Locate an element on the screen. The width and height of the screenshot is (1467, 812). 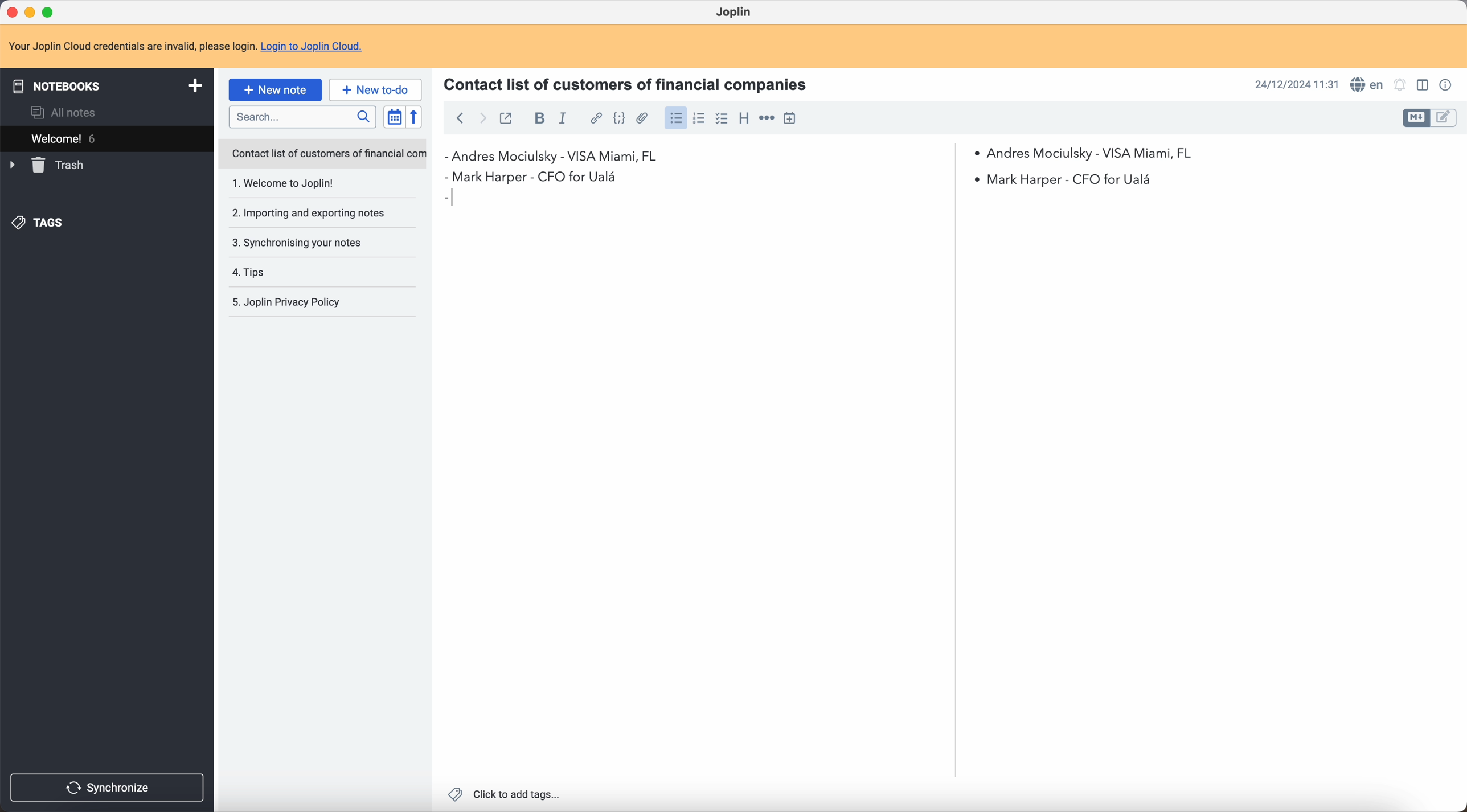
2. Importing and exporting notes is located at coordinates (312, 214).